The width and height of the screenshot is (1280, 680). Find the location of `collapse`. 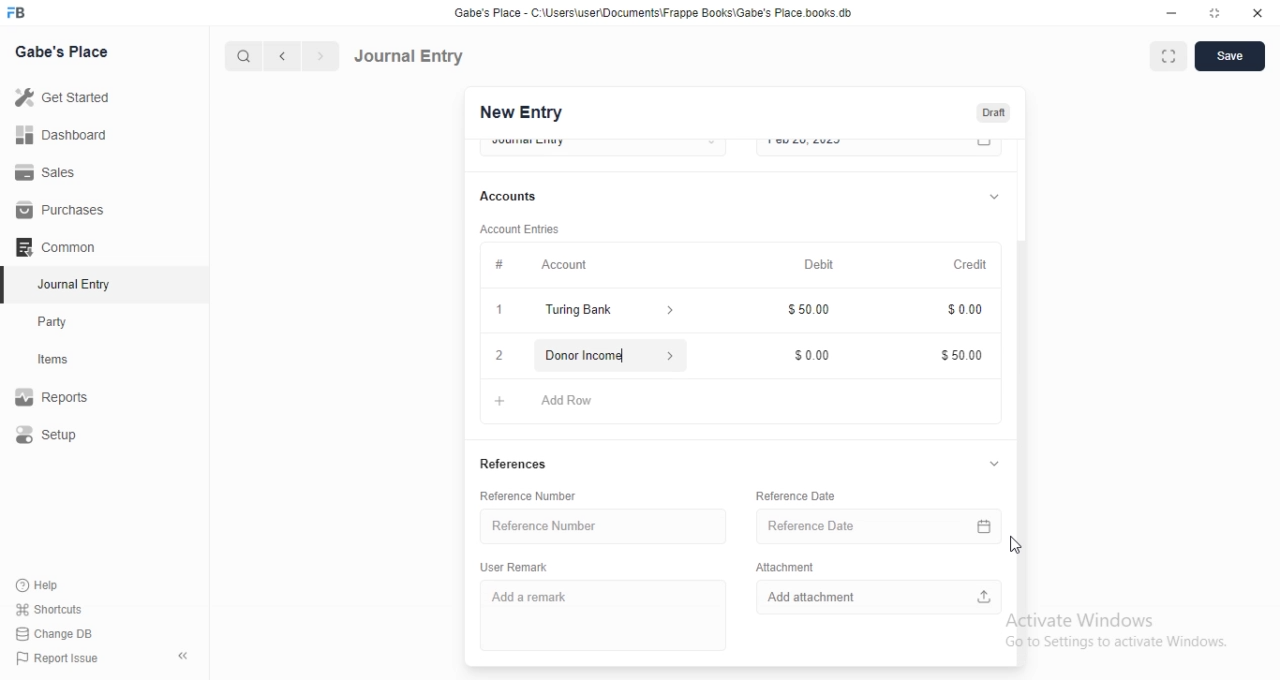

collapse is located at coordinates (994, 194).